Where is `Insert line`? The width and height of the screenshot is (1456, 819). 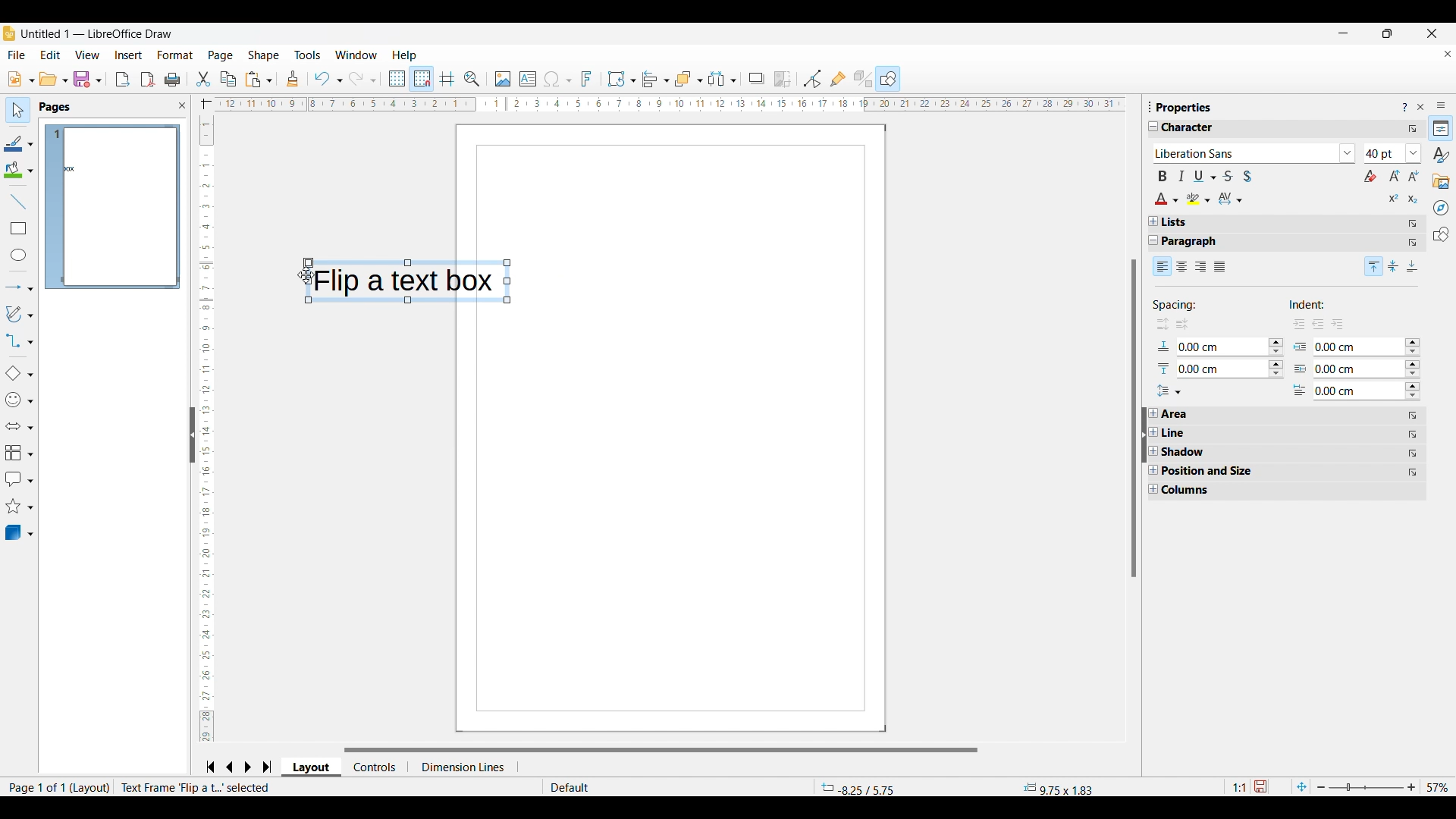
Insert line is located at coordinates (18, 202).